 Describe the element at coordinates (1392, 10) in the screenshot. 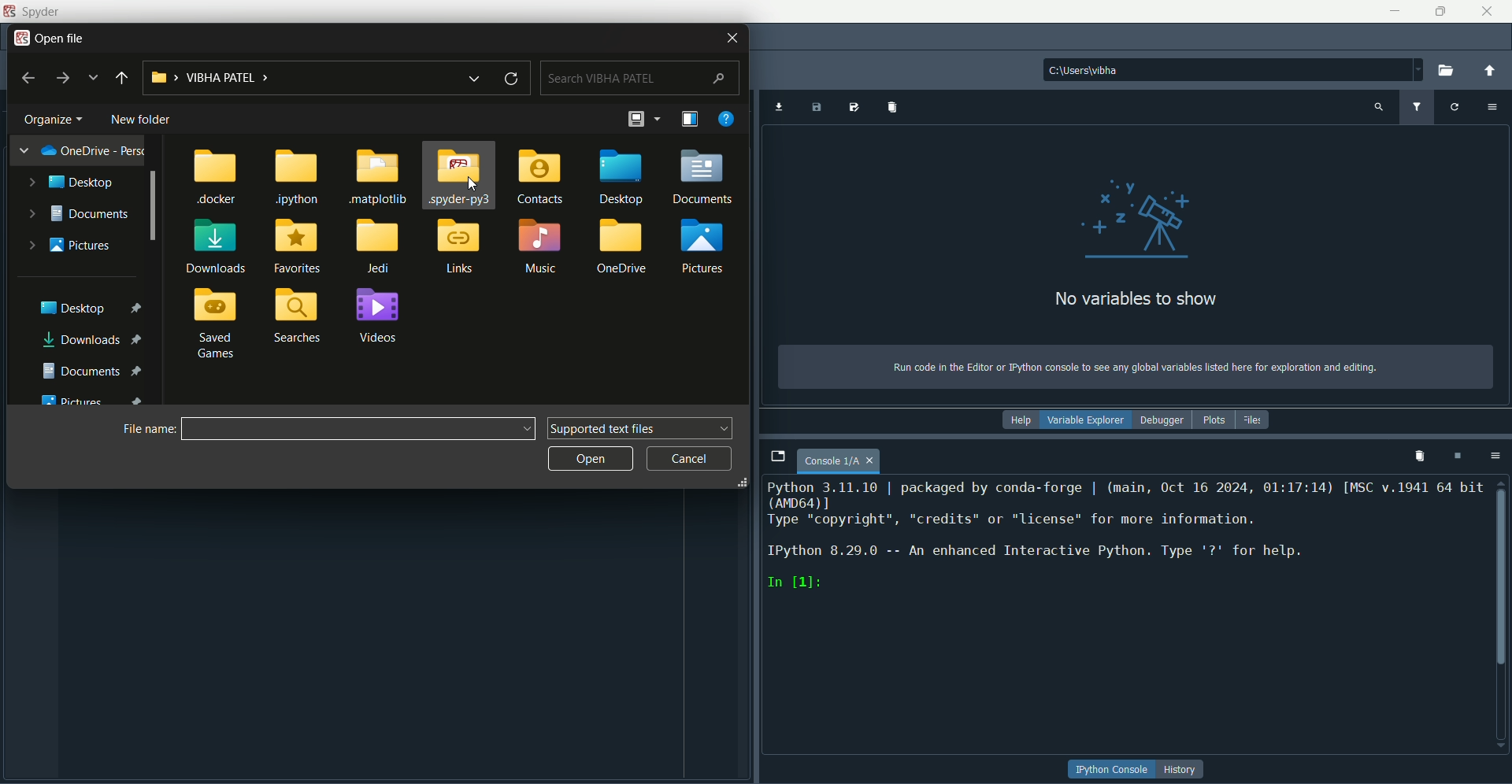

I see `minimize` at that location.